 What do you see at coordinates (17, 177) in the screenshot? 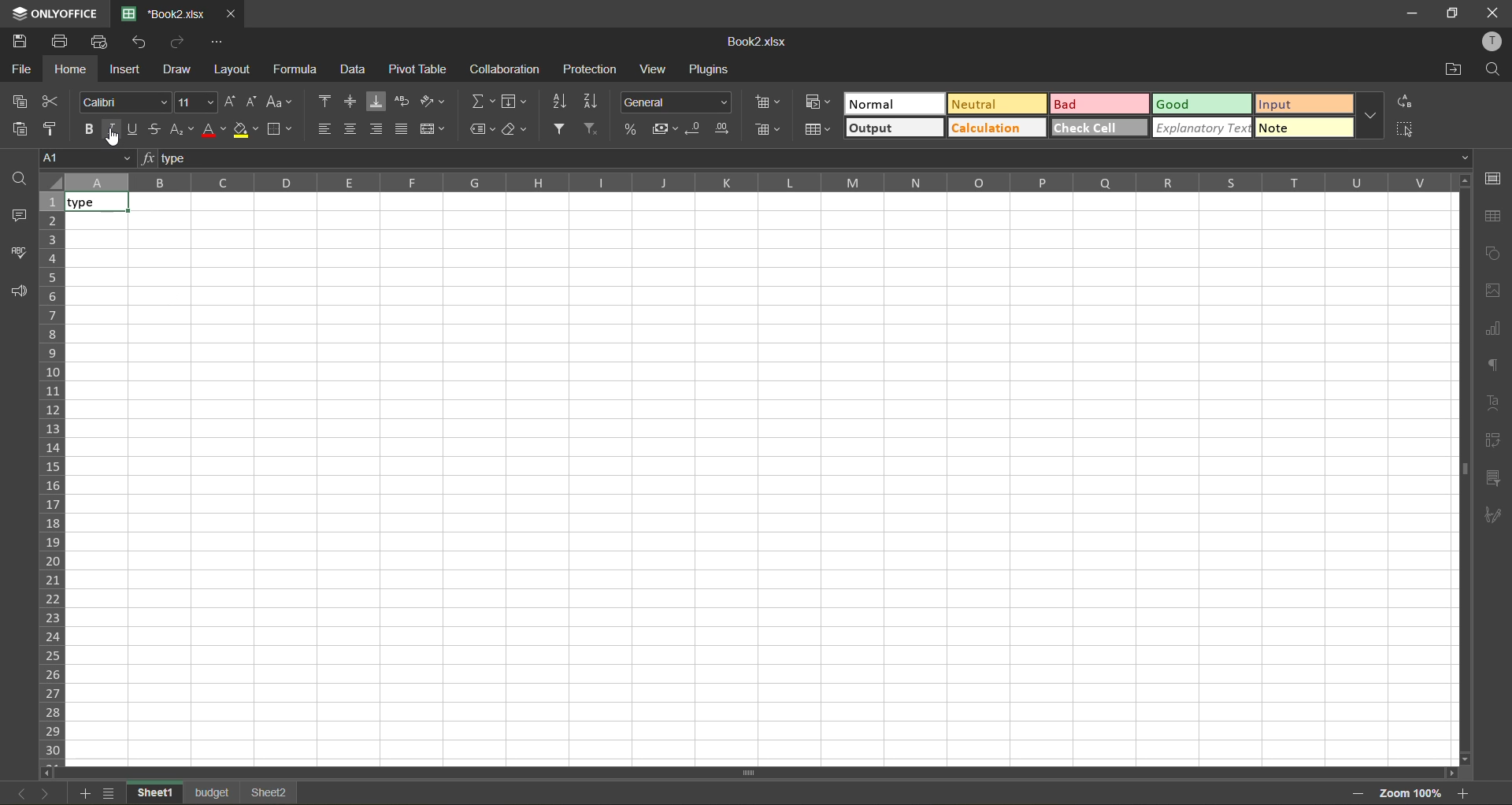
I see `find` at bounding box center [17, 177].